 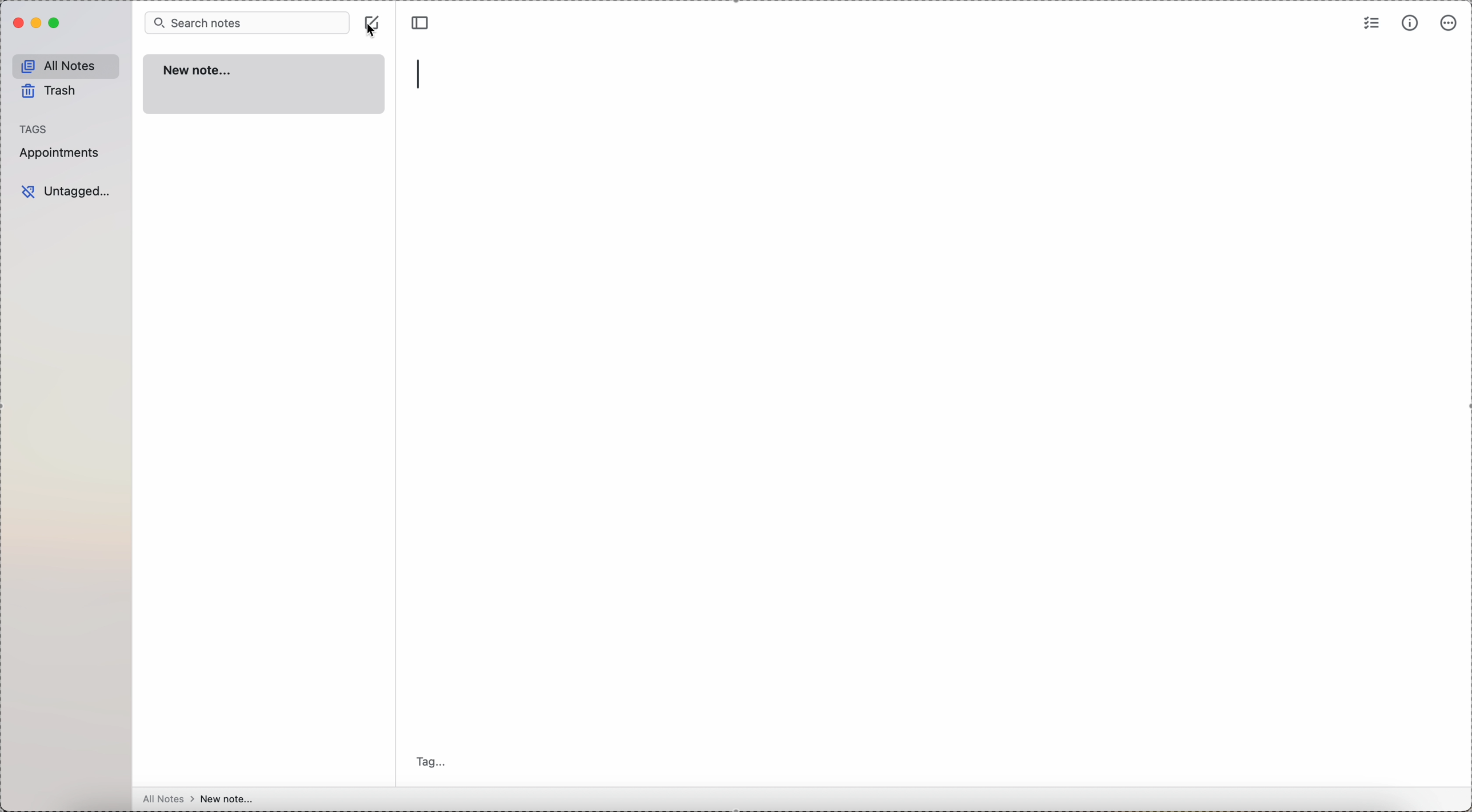 I want to click on check list, so click(x=1372, y=22).